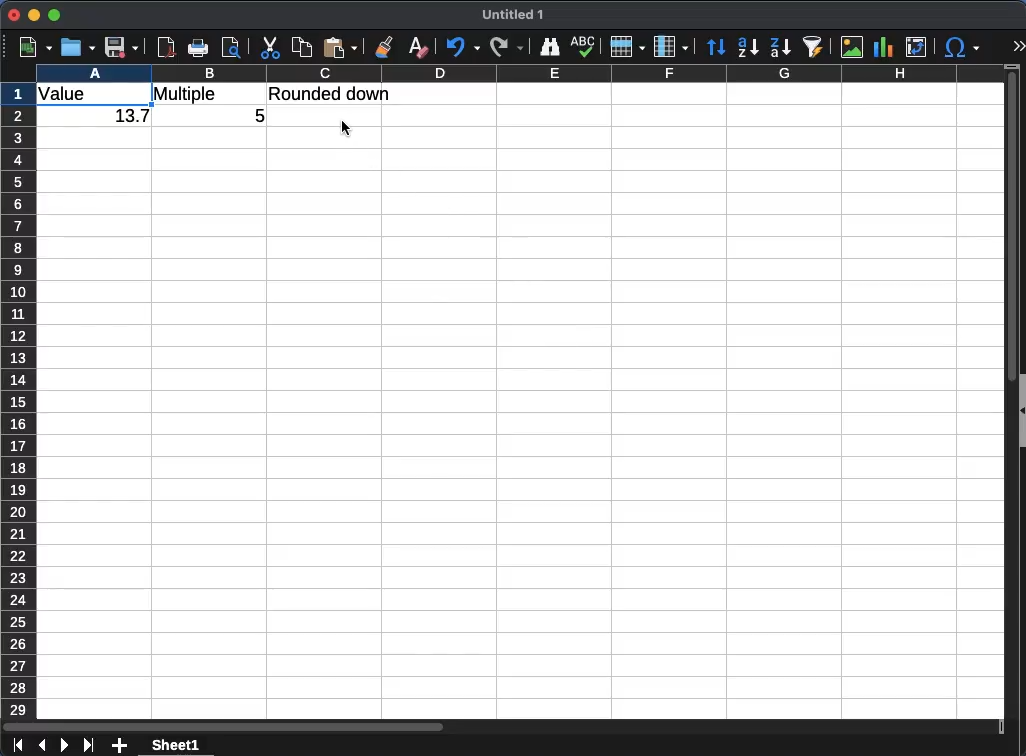 Image resolution: width=1026 pixels, height=756 pixels. I want to click on image, so click(854, 48).